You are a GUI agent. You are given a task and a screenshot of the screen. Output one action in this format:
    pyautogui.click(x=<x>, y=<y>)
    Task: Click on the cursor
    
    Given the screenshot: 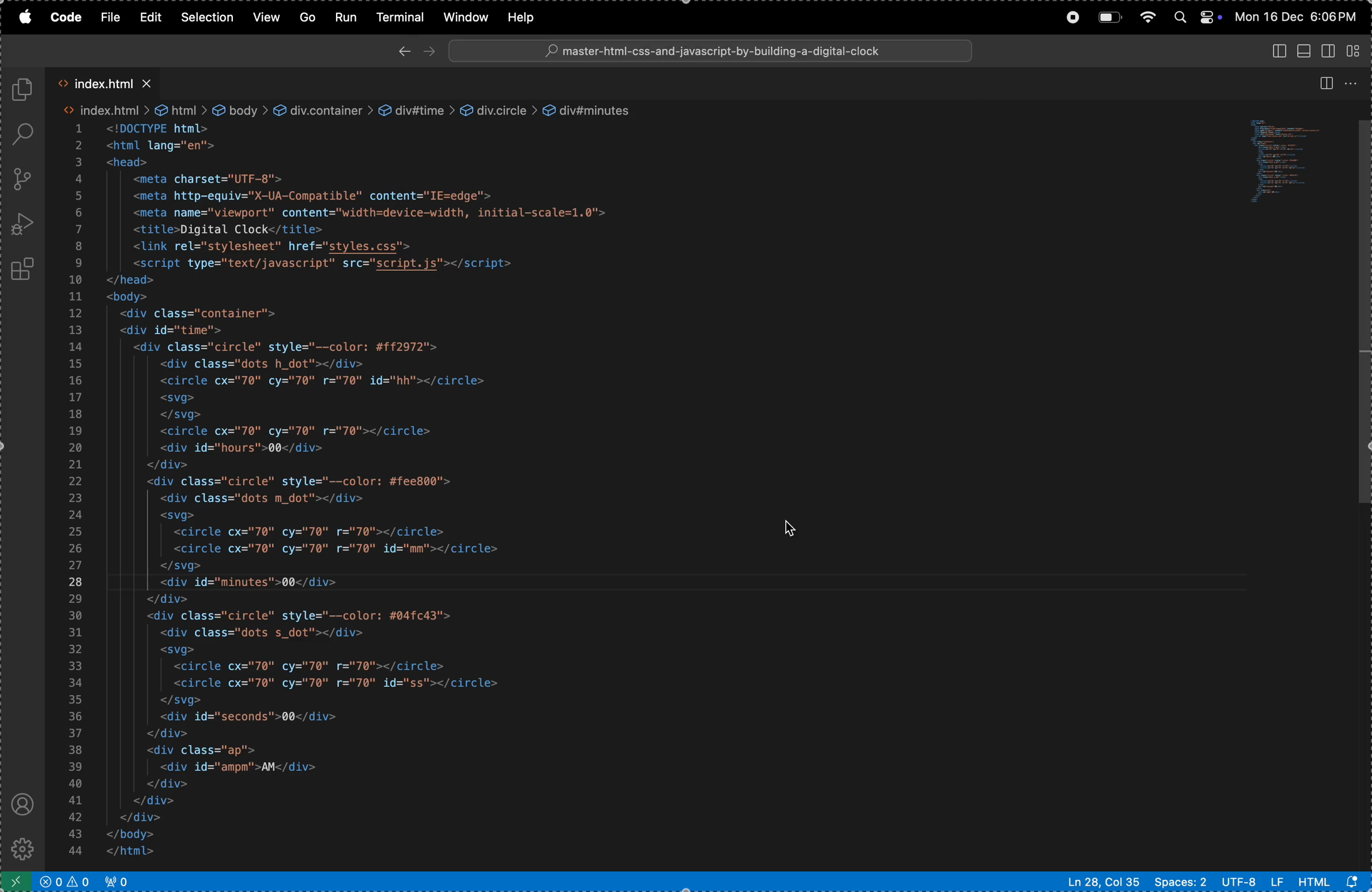 What is the action you would take?
    pyautogui.click(x=793, y=526)
    